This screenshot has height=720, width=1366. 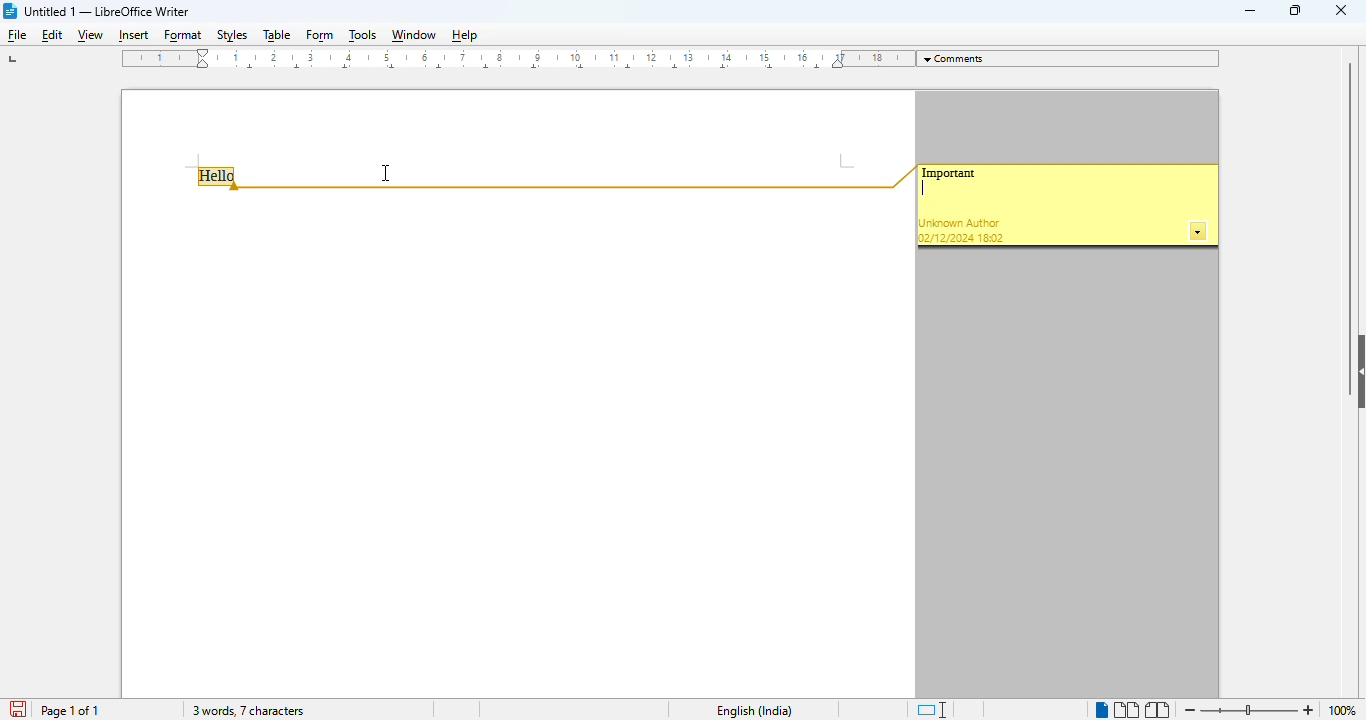 I want to click on close, so click(x=1341, y=9).